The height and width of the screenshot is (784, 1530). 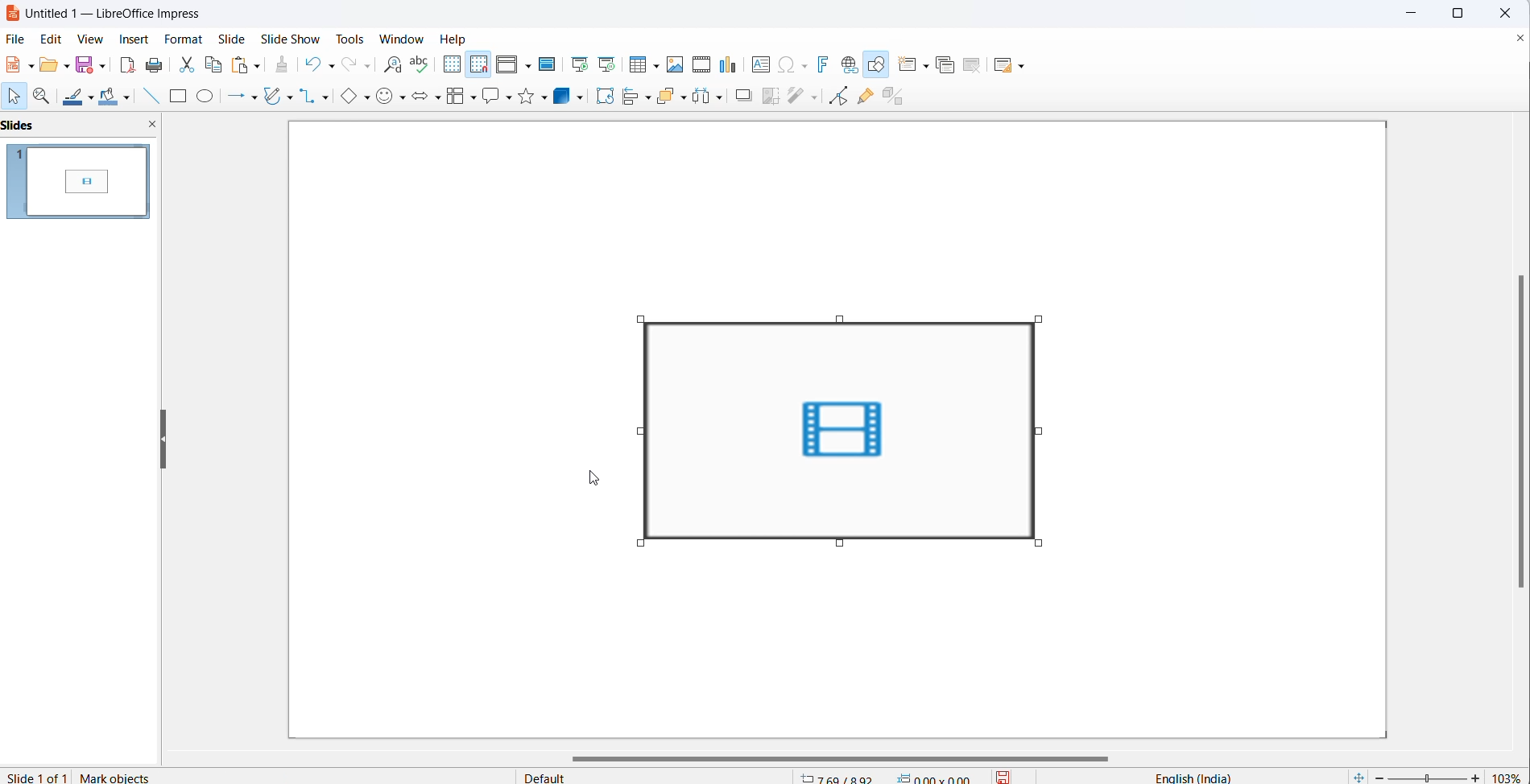 What do you see at coordinates (1520, 435) in the screenshot?
I see `vertical scroll bar` at bounding box center [1520, 435].